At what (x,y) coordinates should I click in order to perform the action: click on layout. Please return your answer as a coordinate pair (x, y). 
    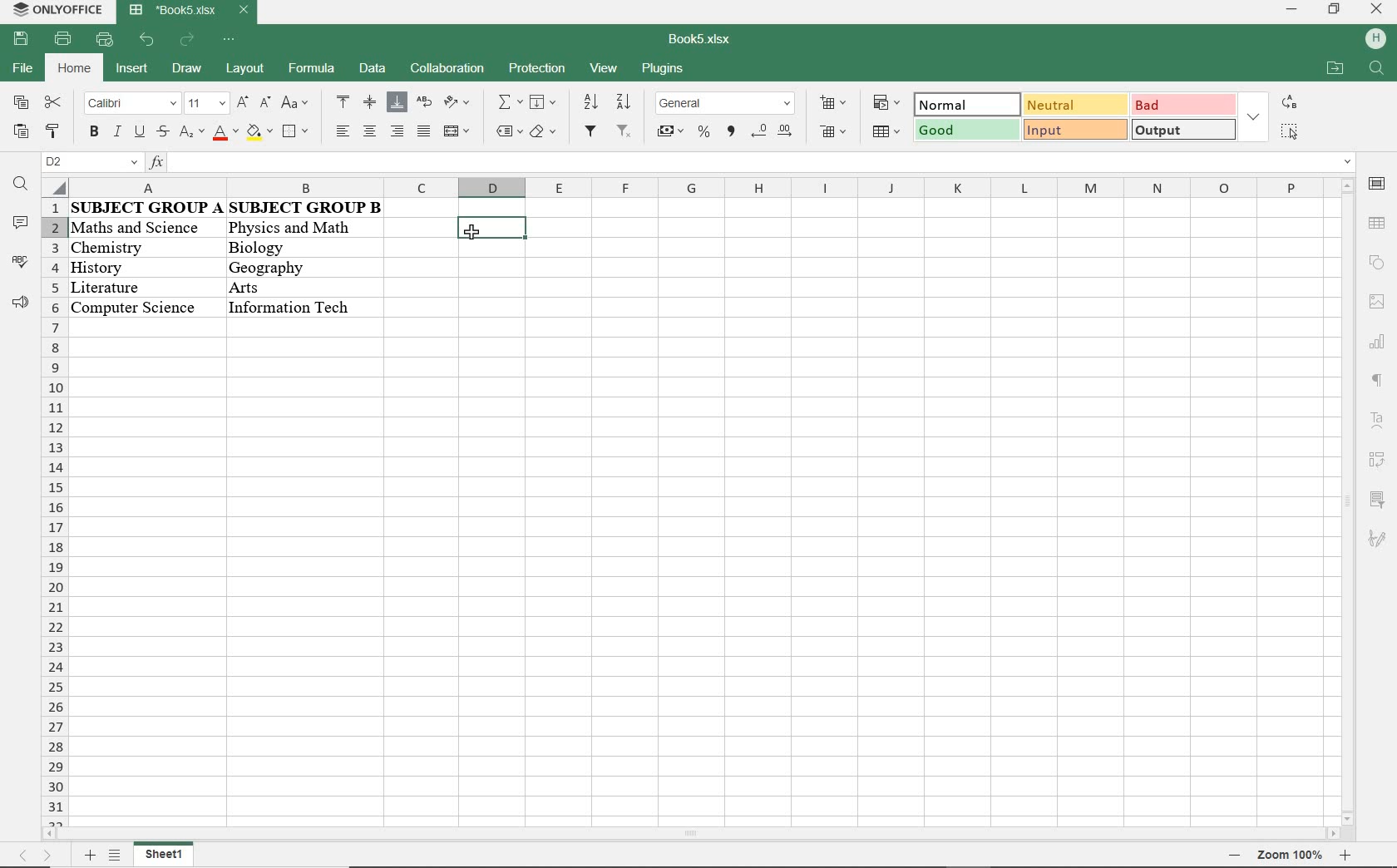
    Looking at the image, I should click on (244, 67).